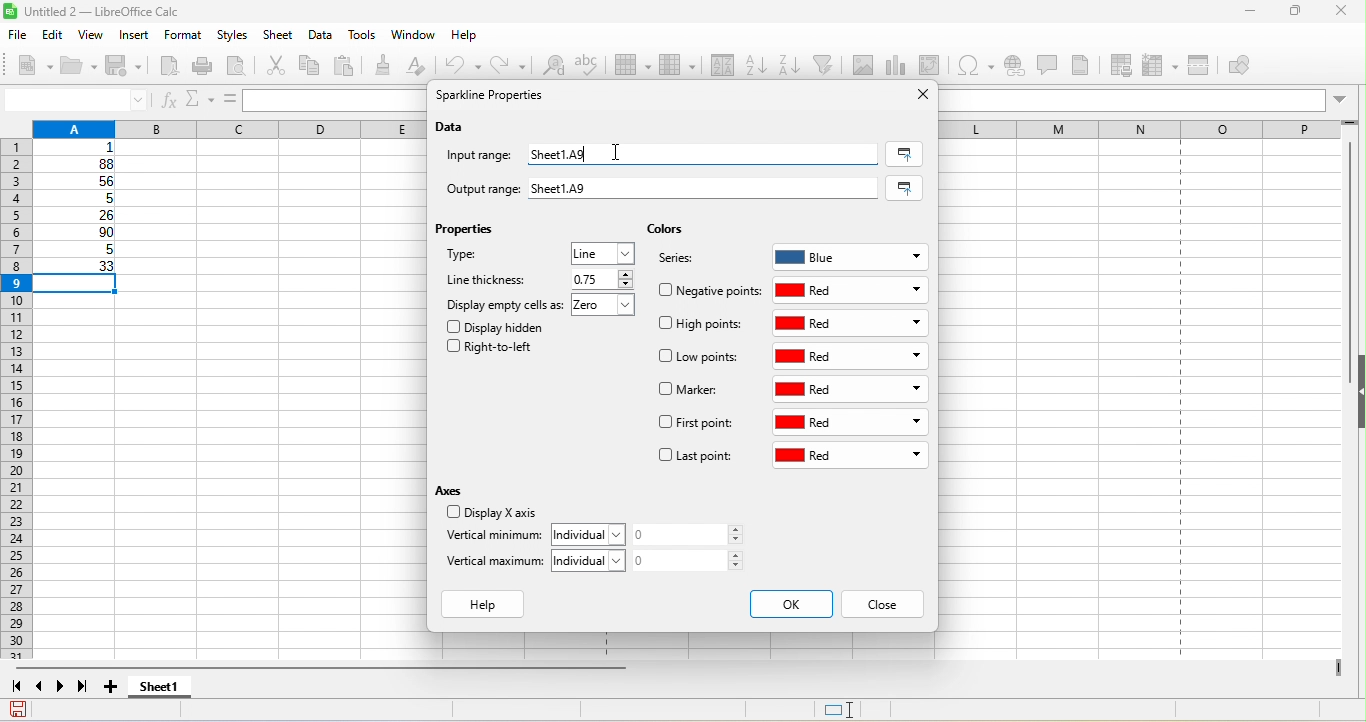  I want to click on scroll to next sheet, so click(65, 689).